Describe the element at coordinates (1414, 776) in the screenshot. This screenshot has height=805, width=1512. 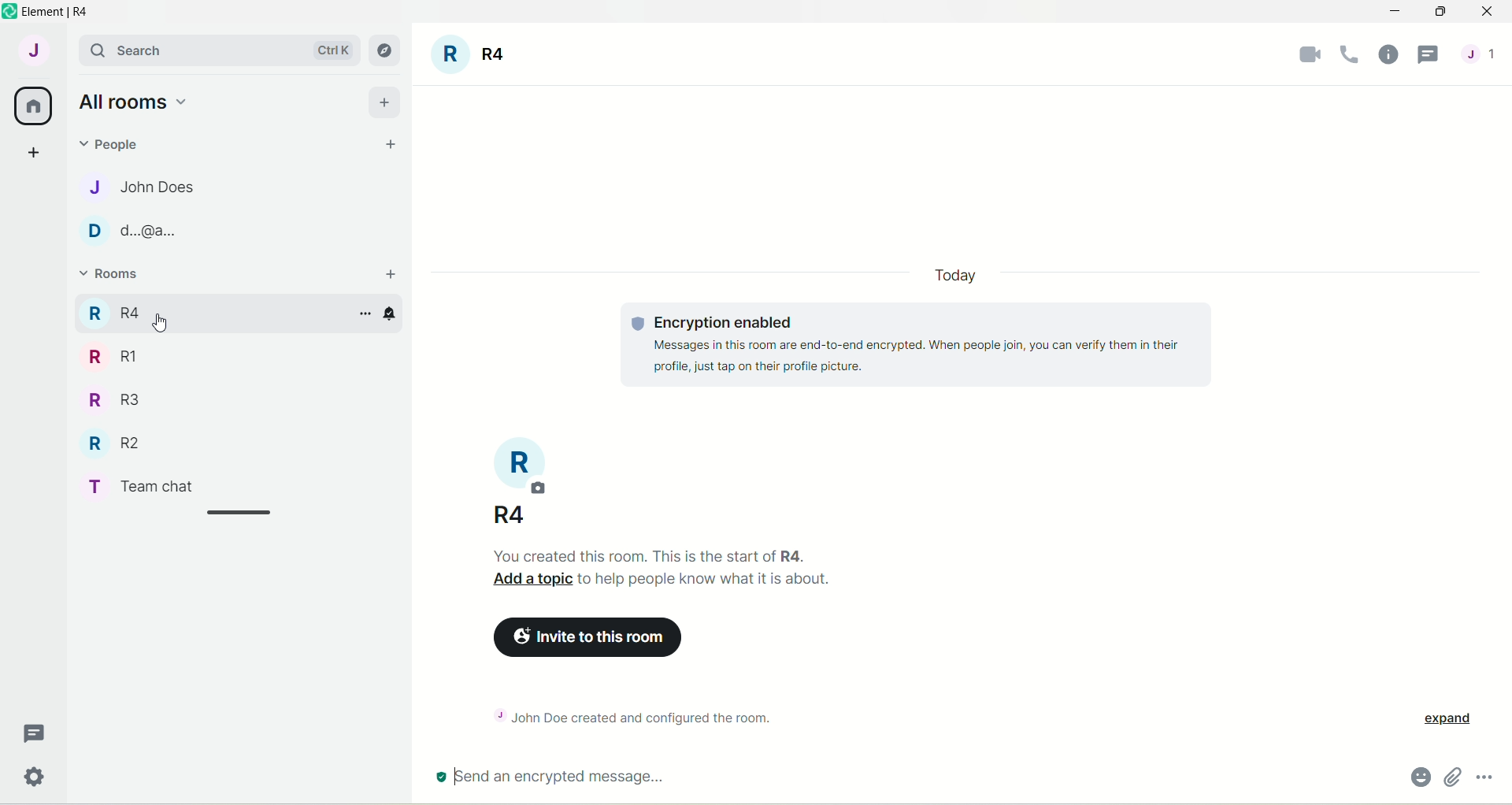
I see `emoji` at that location.